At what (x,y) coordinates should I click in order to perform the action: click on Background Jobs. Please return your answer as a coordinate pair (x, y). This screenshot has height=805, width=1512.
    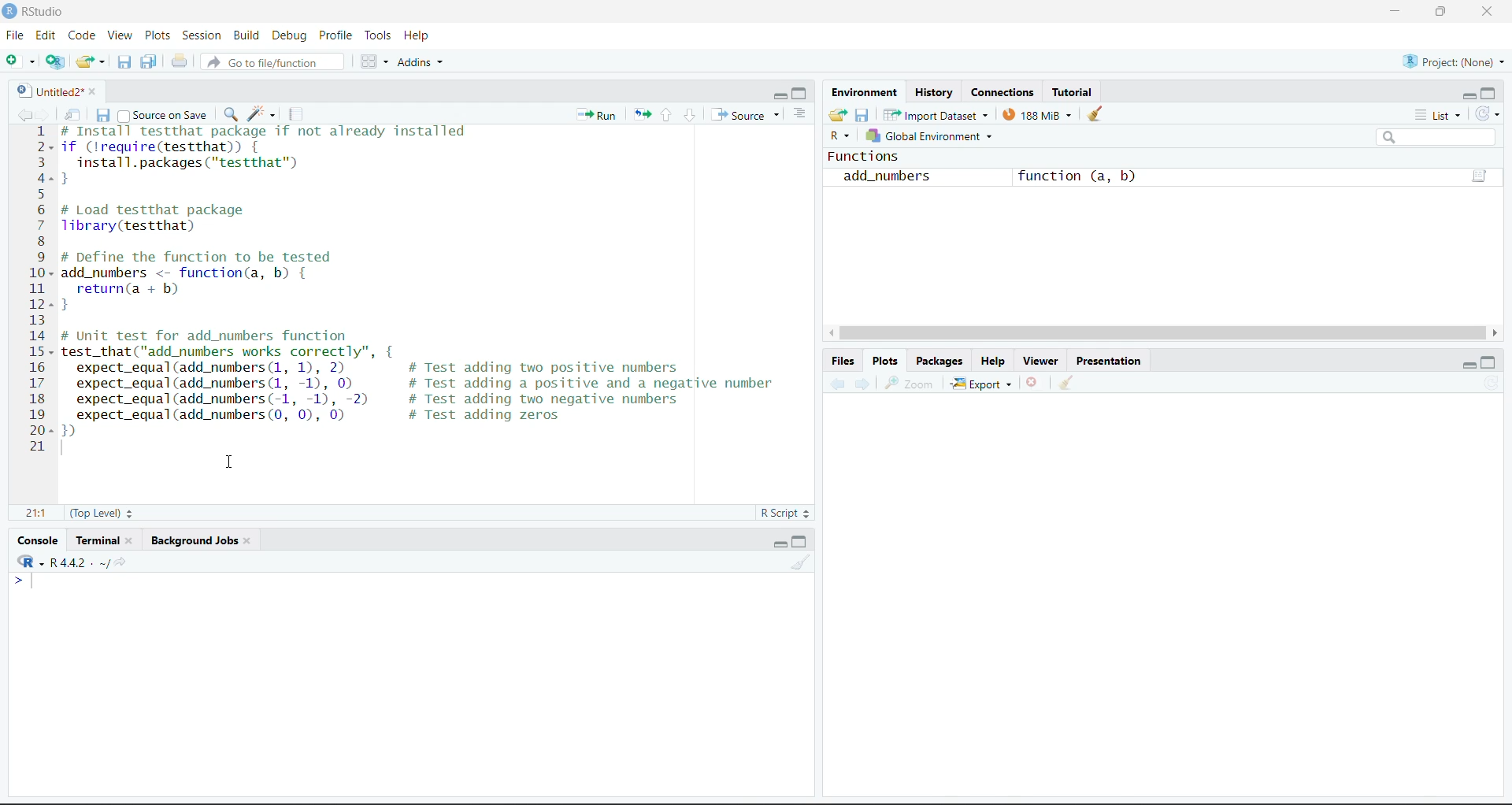
    Looking at the image, I should click on (193, 539).